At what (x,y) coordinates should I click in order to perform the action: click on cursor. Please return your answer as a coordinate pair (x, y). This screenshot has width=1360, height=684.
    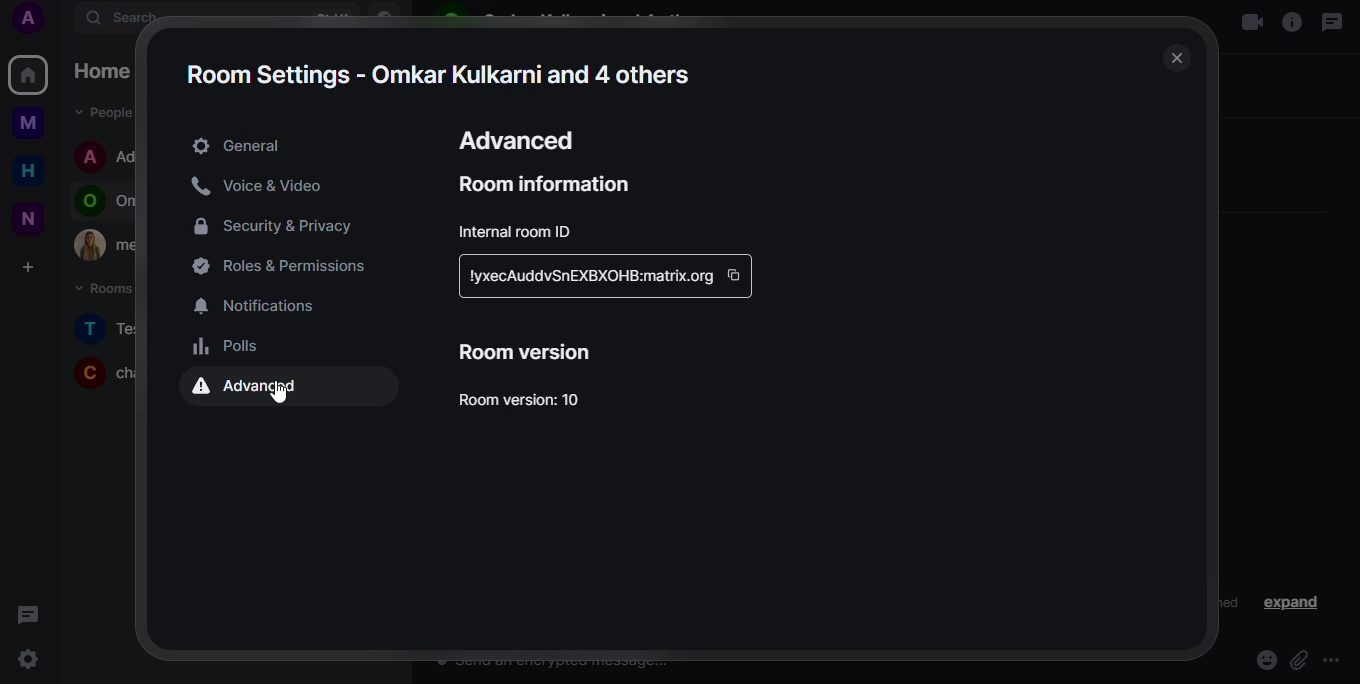
    Looking at the image, I should click on (279, 392).